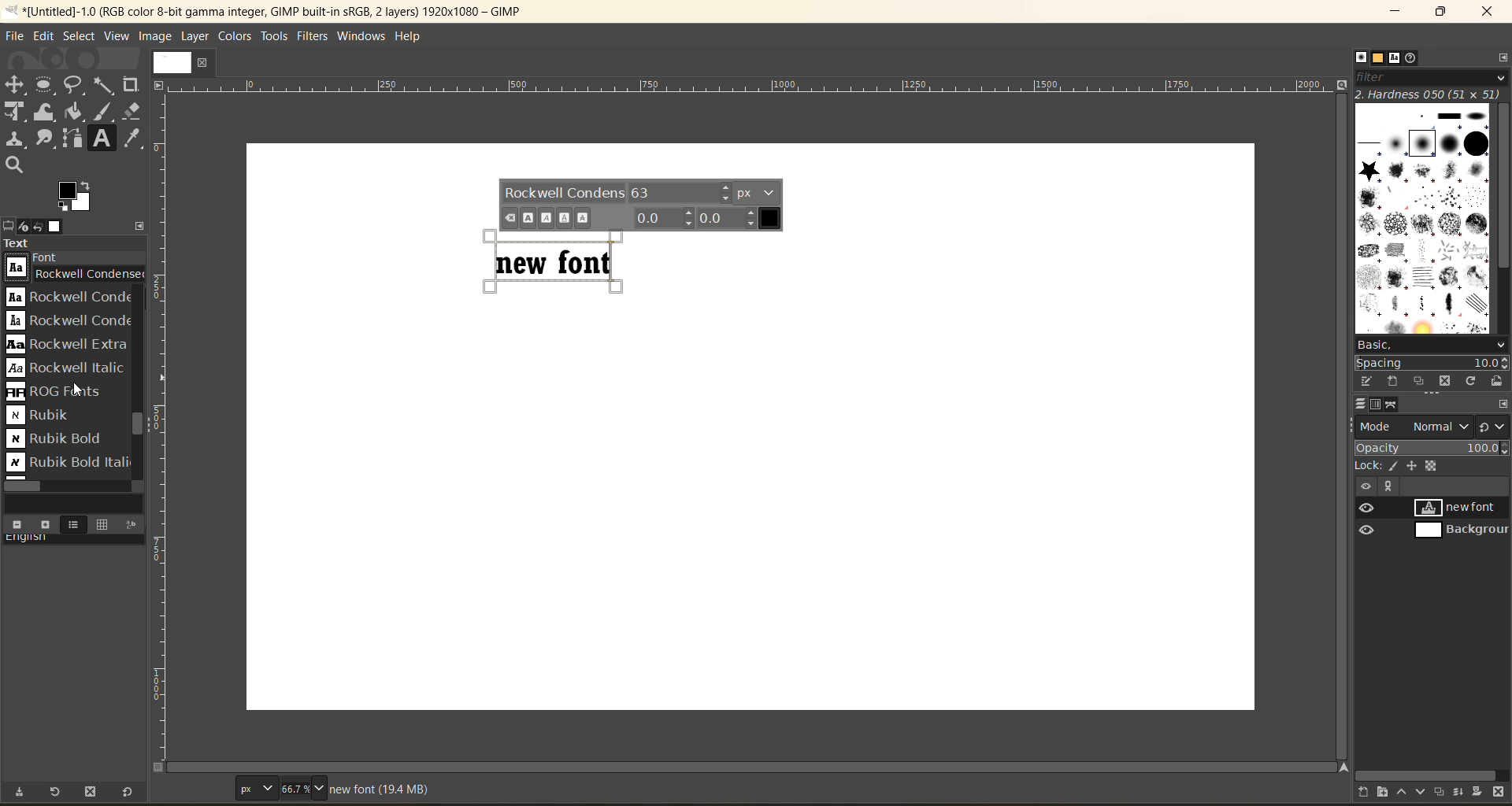 Image resolution: width=1512 pixels, height=806 pixels. Describe the element at coordinates (275, 39) in the screenshot. I see `tools` at that location.